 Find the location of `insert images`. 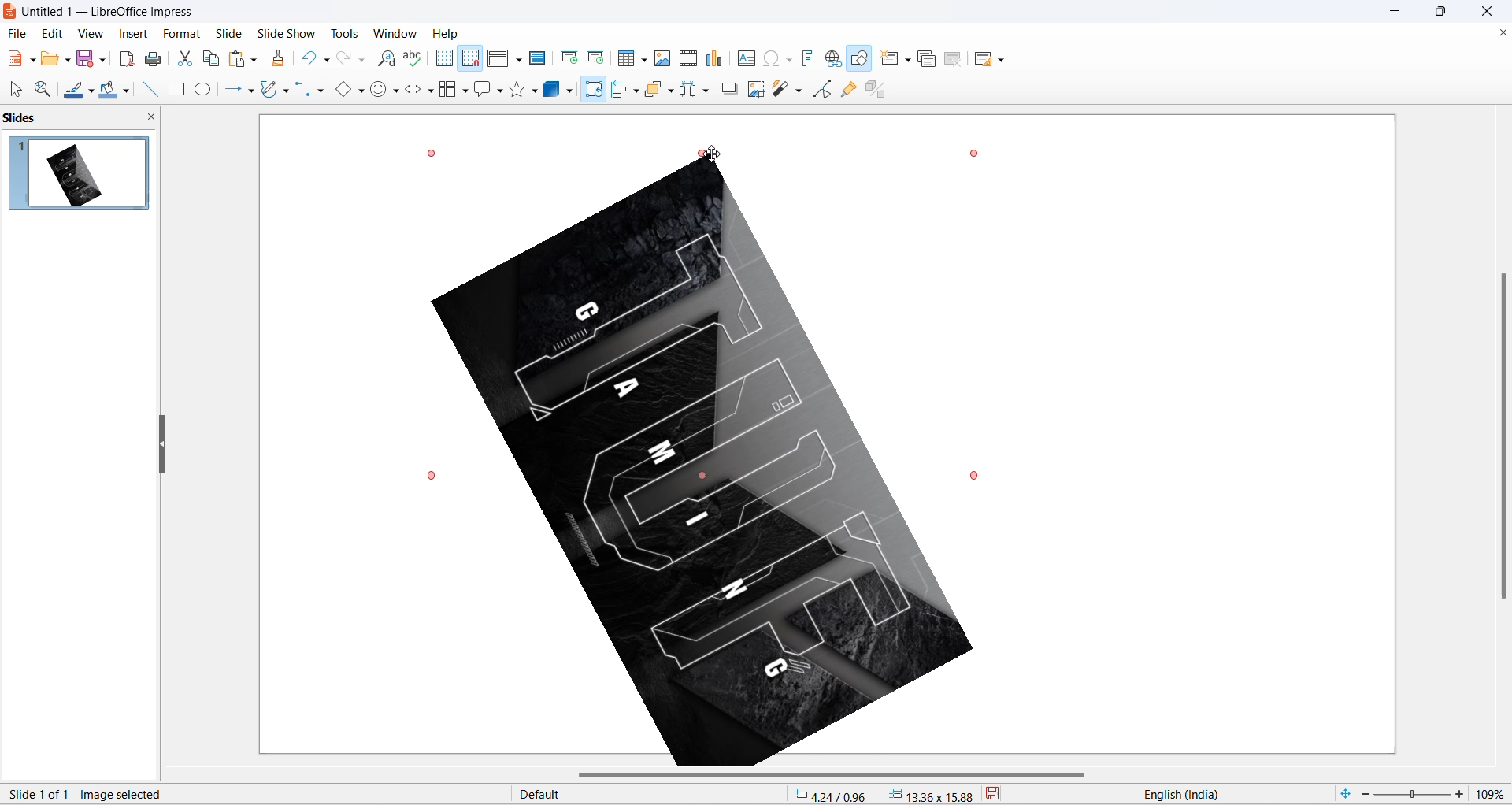

insert images is located at coordinates (663, 58).